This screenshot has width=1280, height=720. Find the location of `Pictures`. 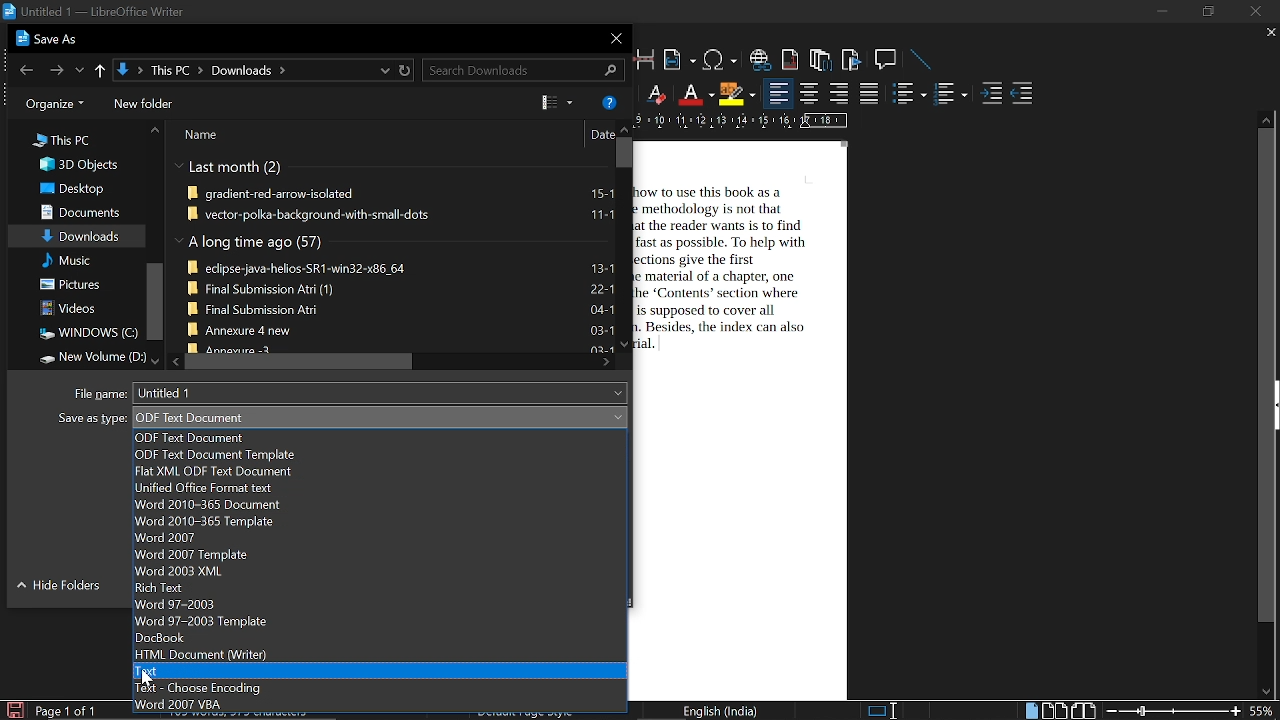

Pictures is located at coordinates (73, 284).